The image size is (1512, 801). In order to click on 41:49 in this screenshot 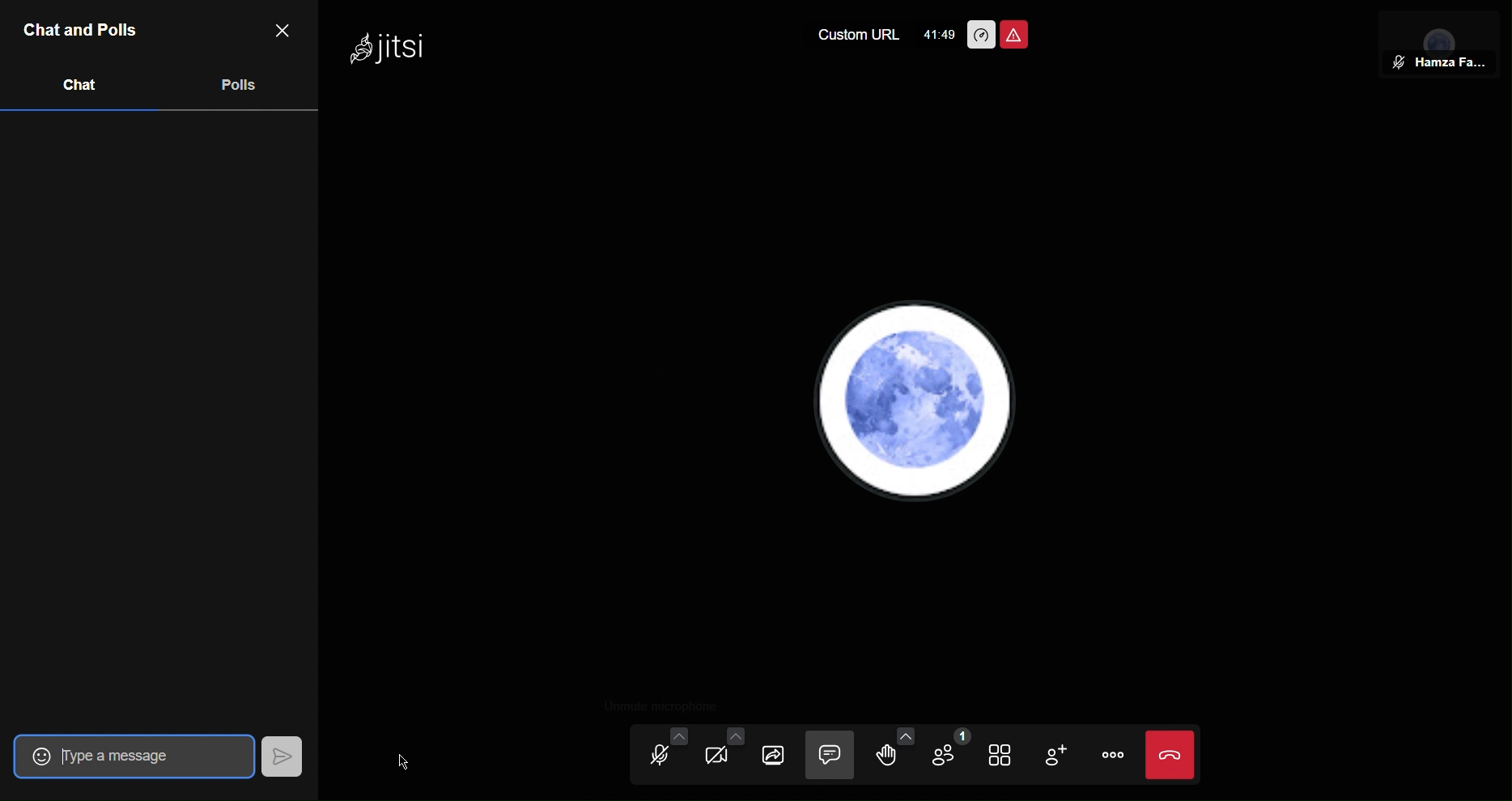, I will do `click(936, 35)`.